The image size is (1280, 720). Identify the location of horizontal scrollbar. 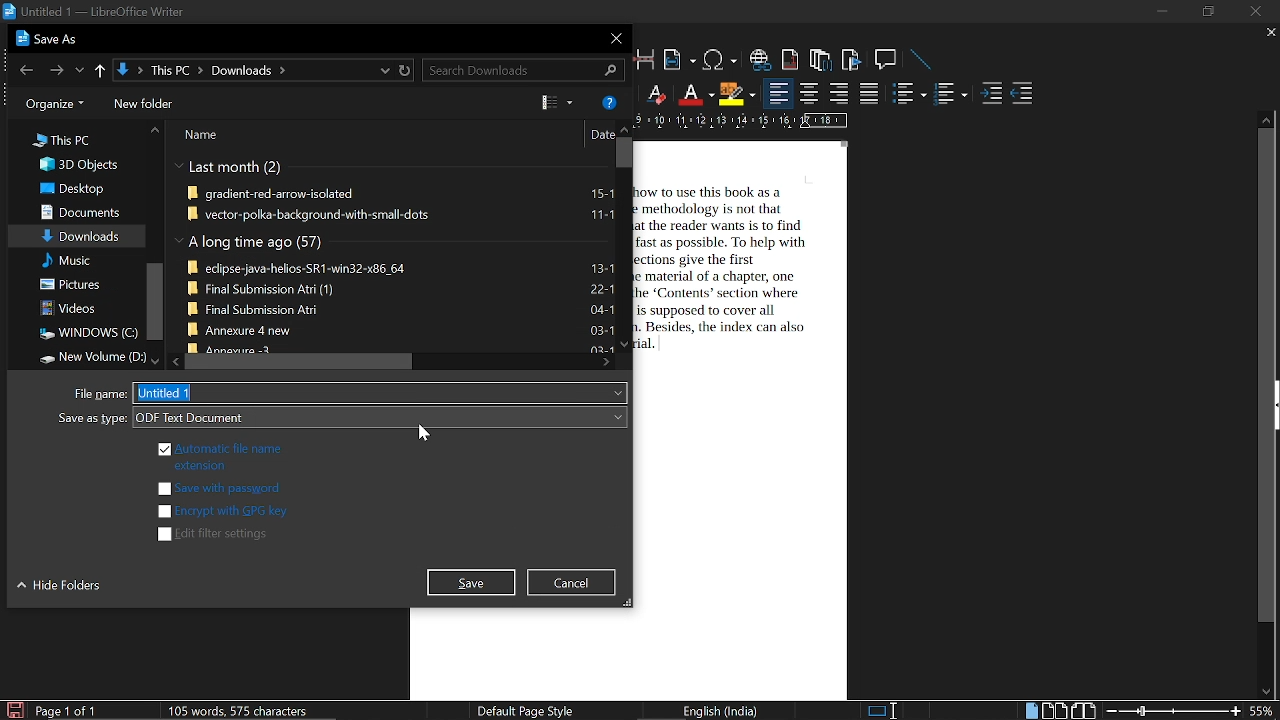
(297, 362).